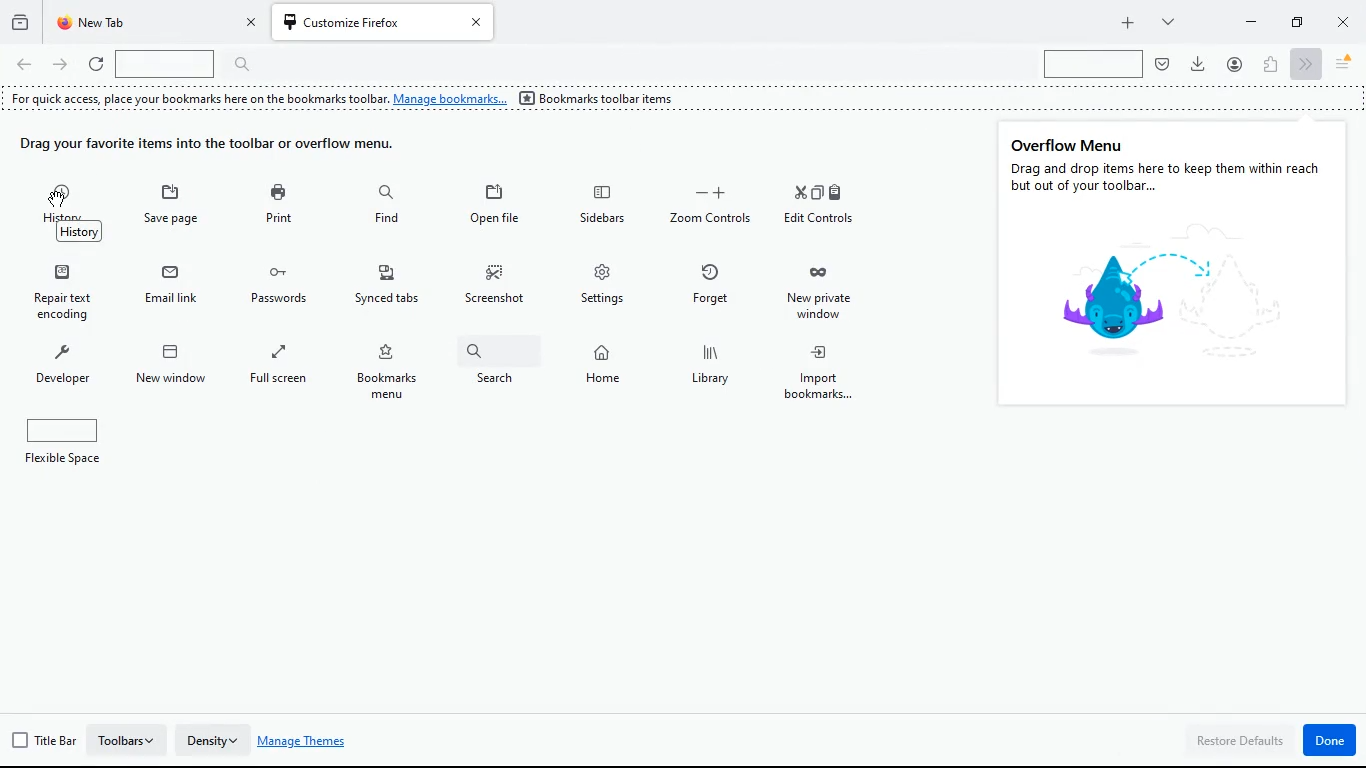 The image size is (1366, 768). Describe the element at coordinates (496, 370) in the screenshot. I see `search` at that location.